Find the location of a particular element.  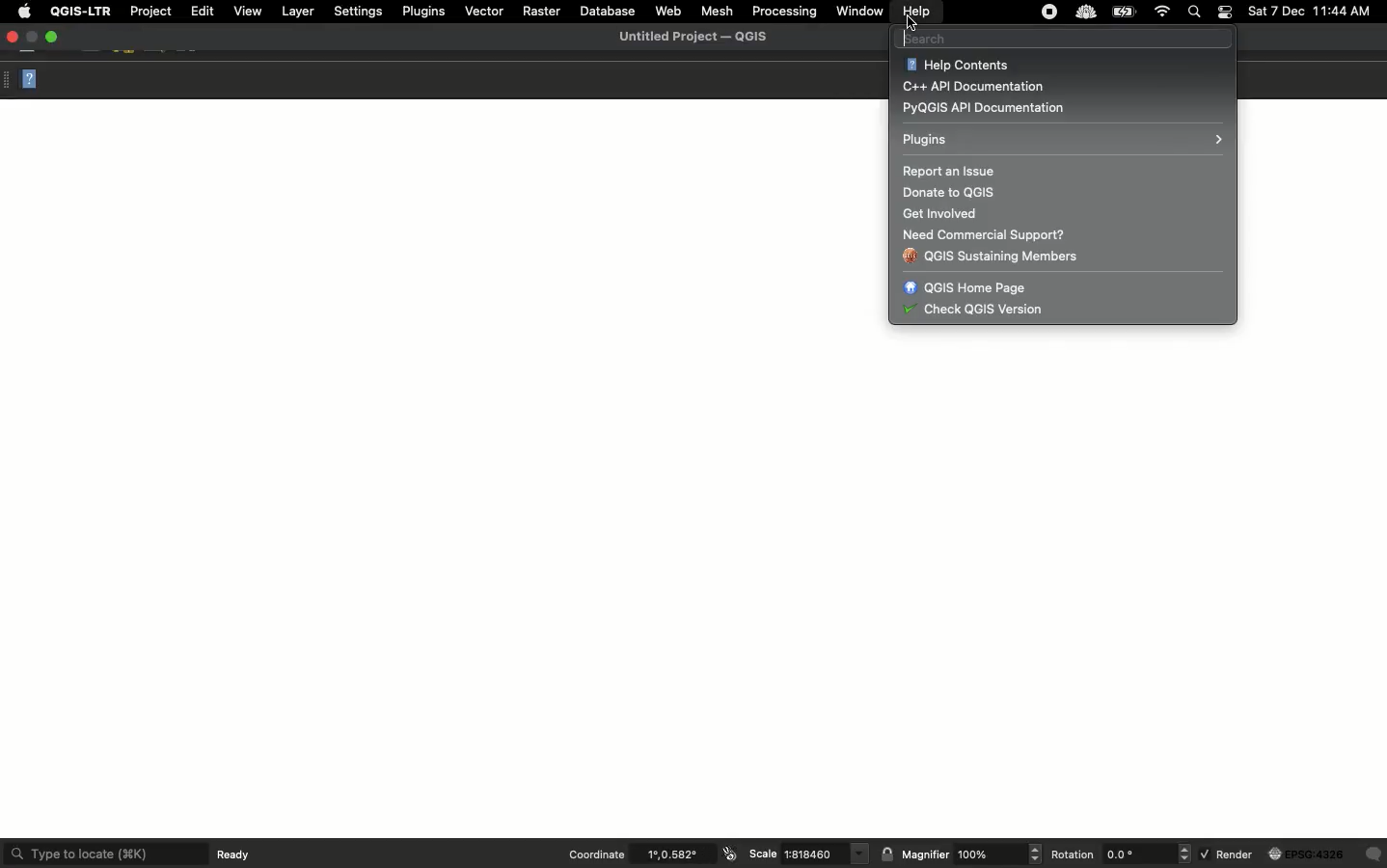

Coordinate is located at coordinates (645, 854).